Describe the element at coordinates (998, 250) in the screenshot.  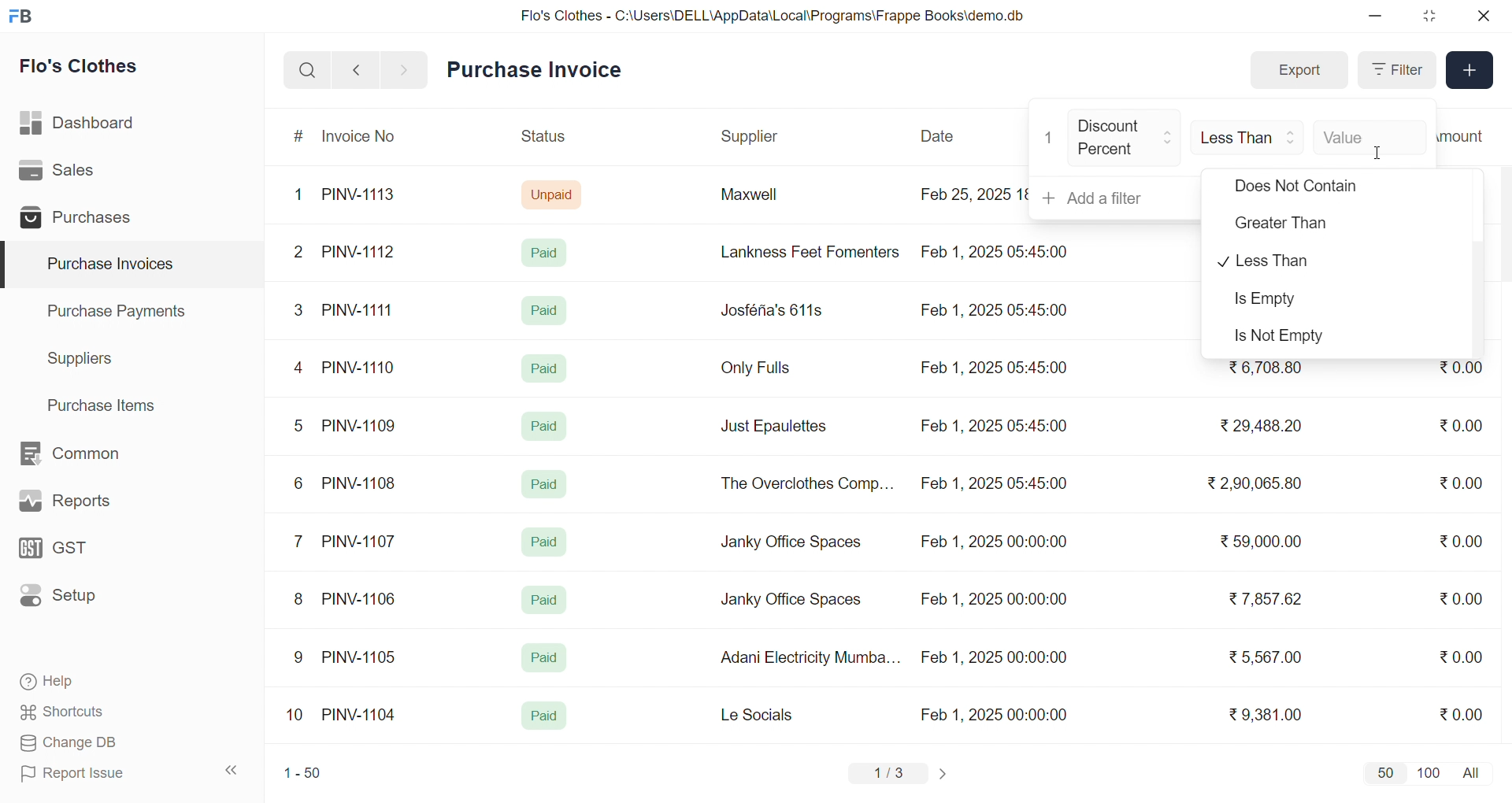
I see `Feb 1, 2025 05:45:00` at that location.